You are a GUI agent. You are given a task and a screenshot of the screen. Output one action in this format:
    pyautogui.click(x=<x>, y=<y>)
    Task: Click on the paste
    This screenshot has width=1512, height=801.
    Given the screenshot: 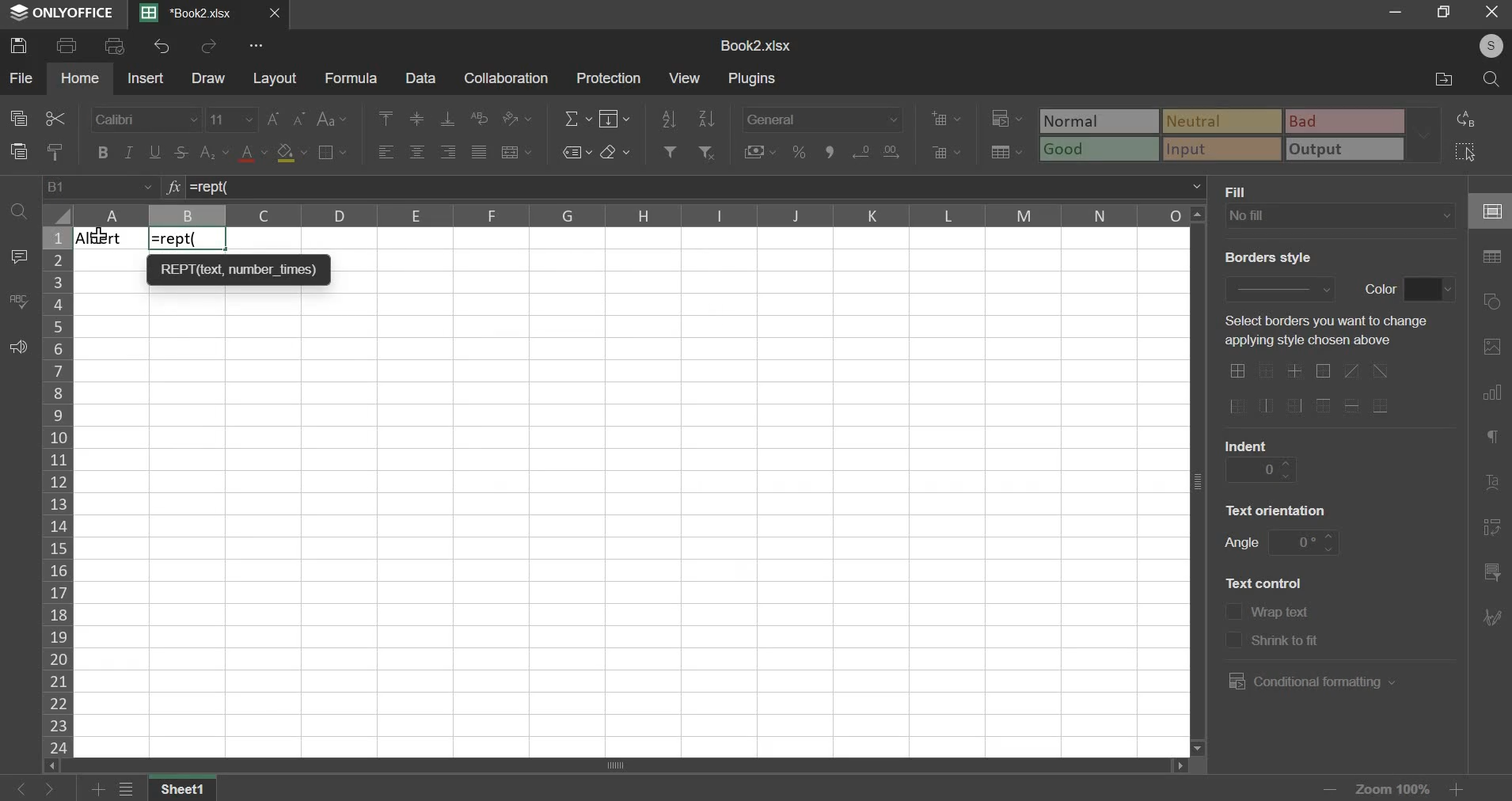 What is the action you would take?
    pyautogui.click(x=18, y=150)
    